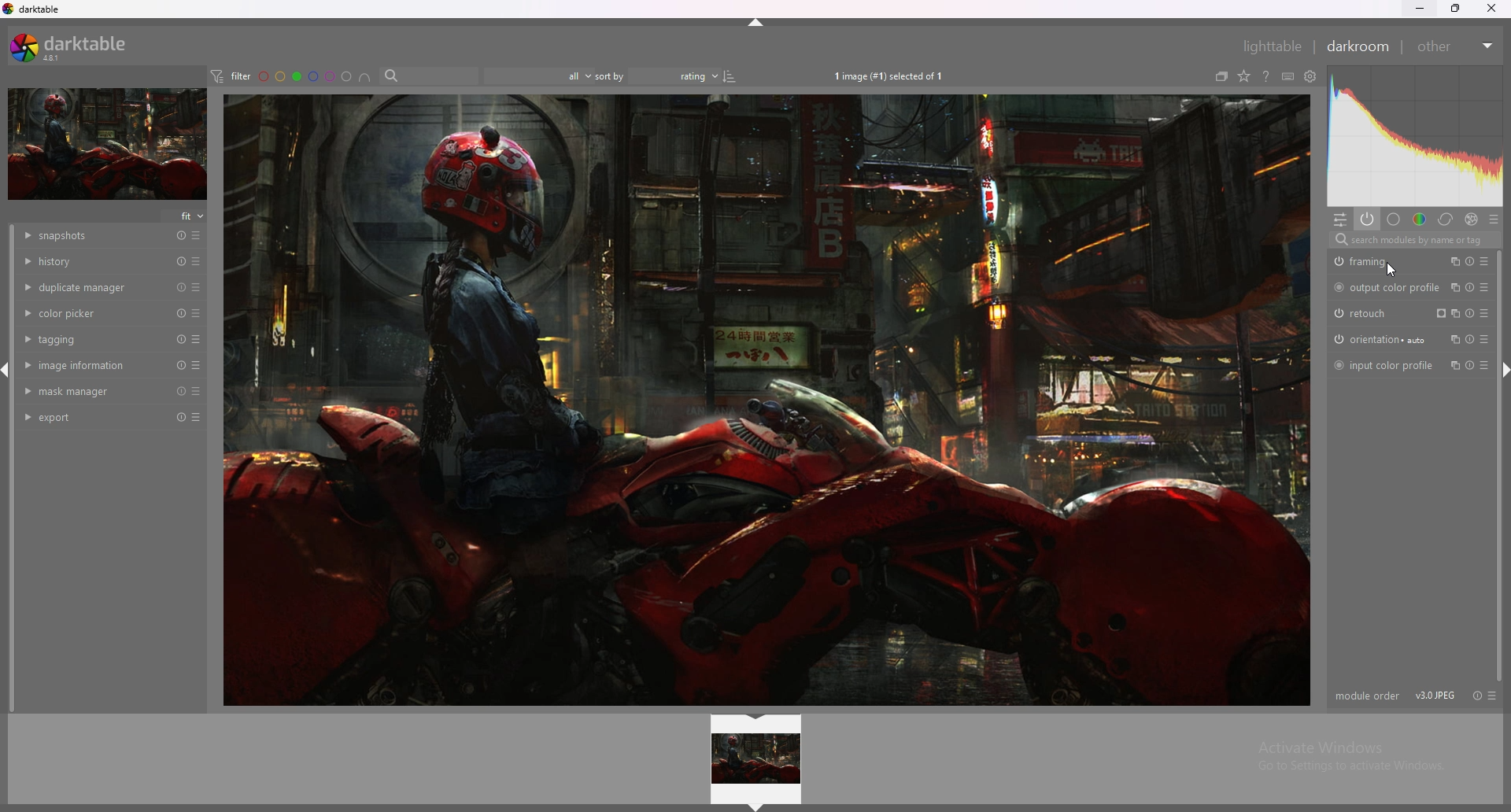  I want to click on minimize, so click(1420, 7).